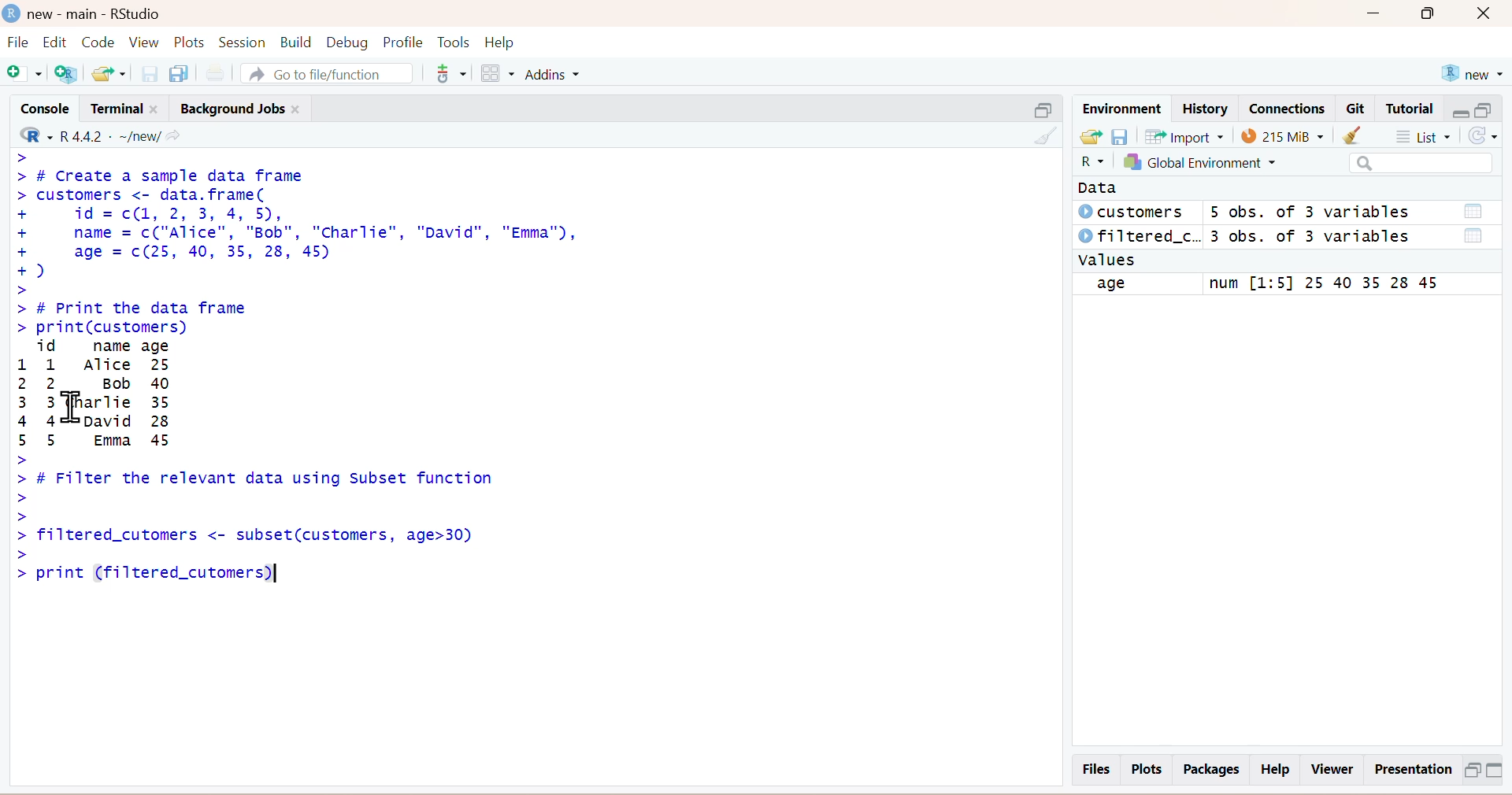 The height and width of the screenshot is (795, 1512). What do you see at coordinates (1220, 165) in the screenshot?
I see `Global Environment ` at bounding box center [1220, 165].